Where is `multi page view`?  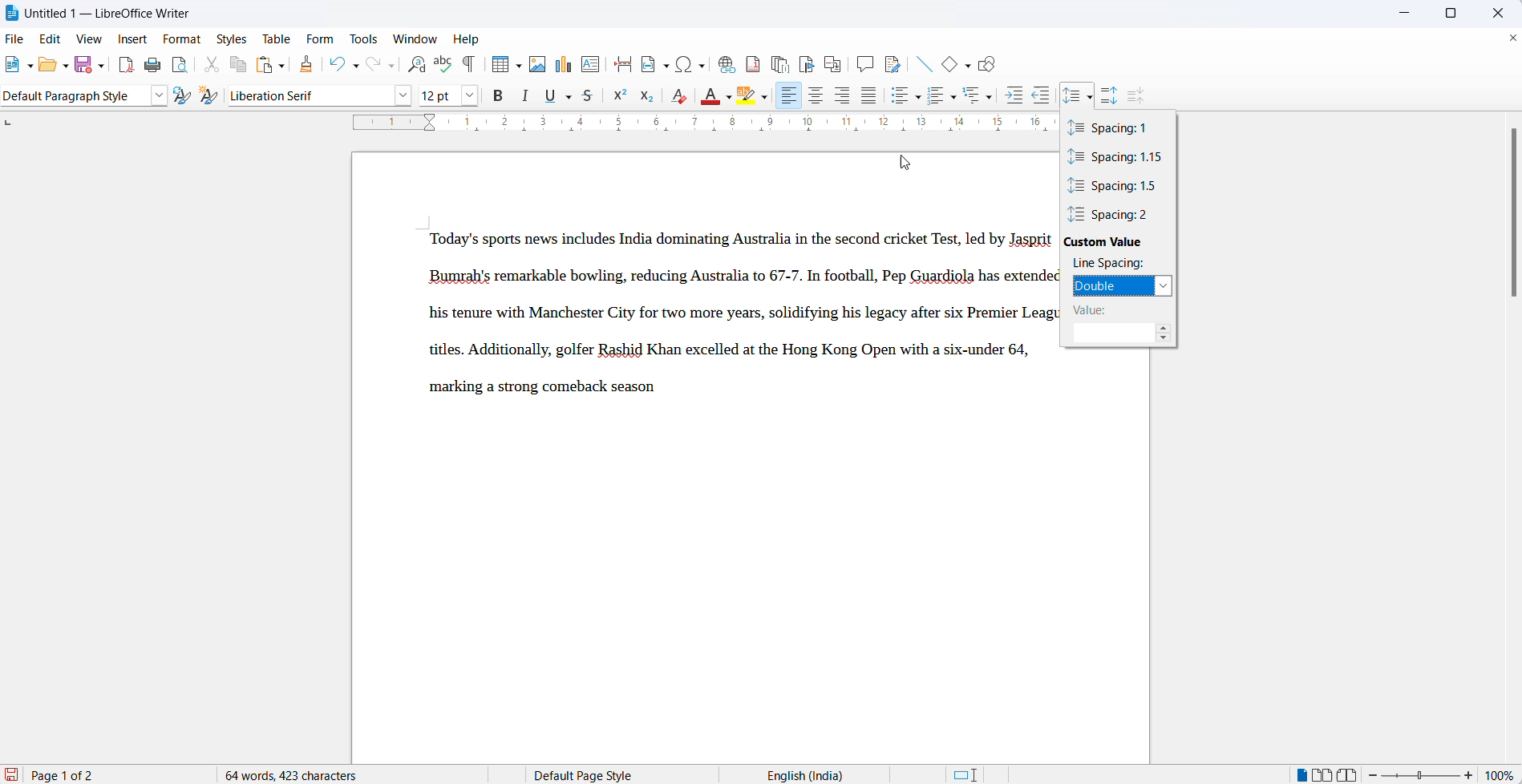 multi page view is located at coordinates (1322, 774).